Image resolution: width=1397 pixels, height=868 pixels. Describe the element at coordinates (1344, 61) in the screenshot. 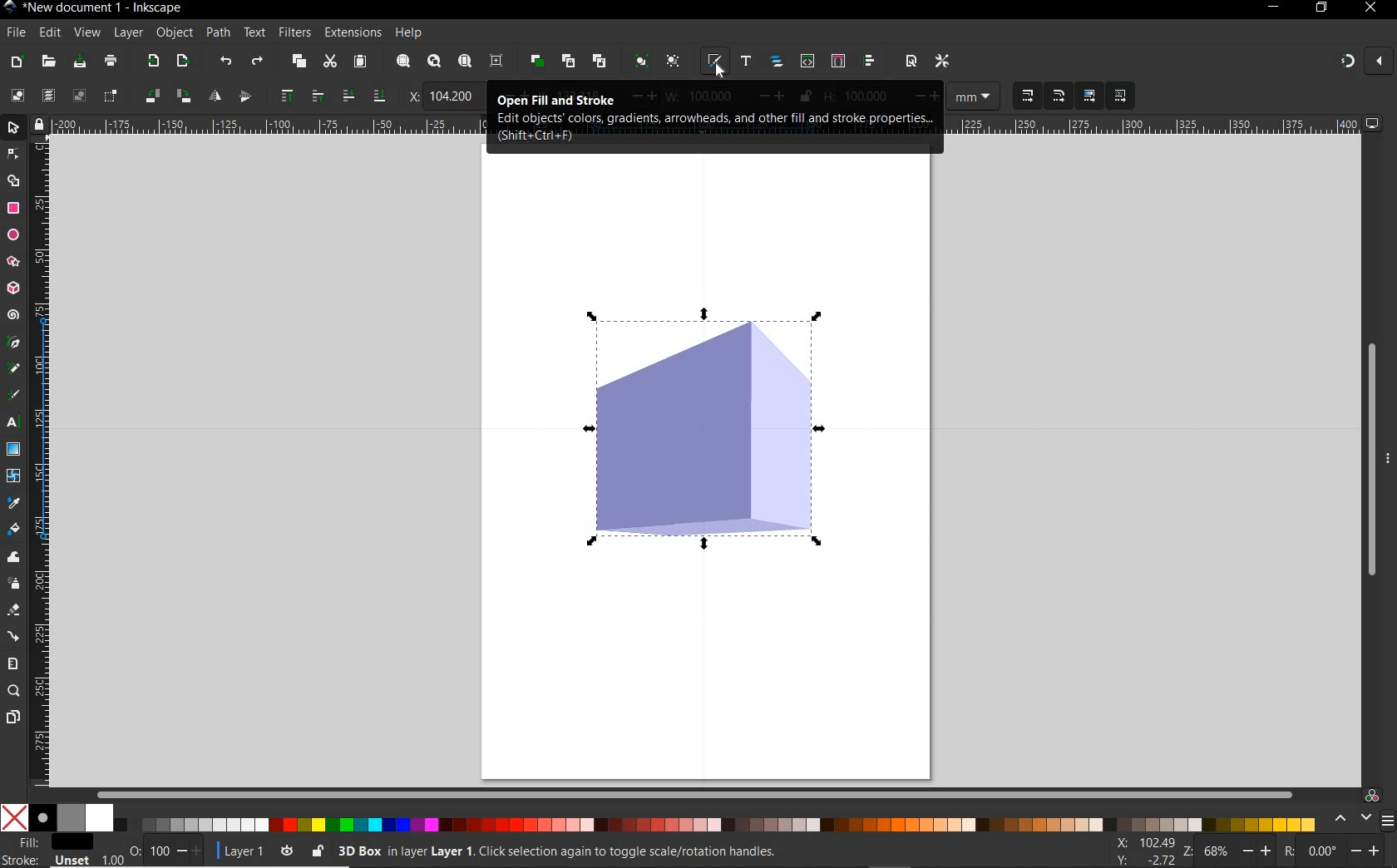

I see `ENABLE SNAPPING TOOL` at that location.